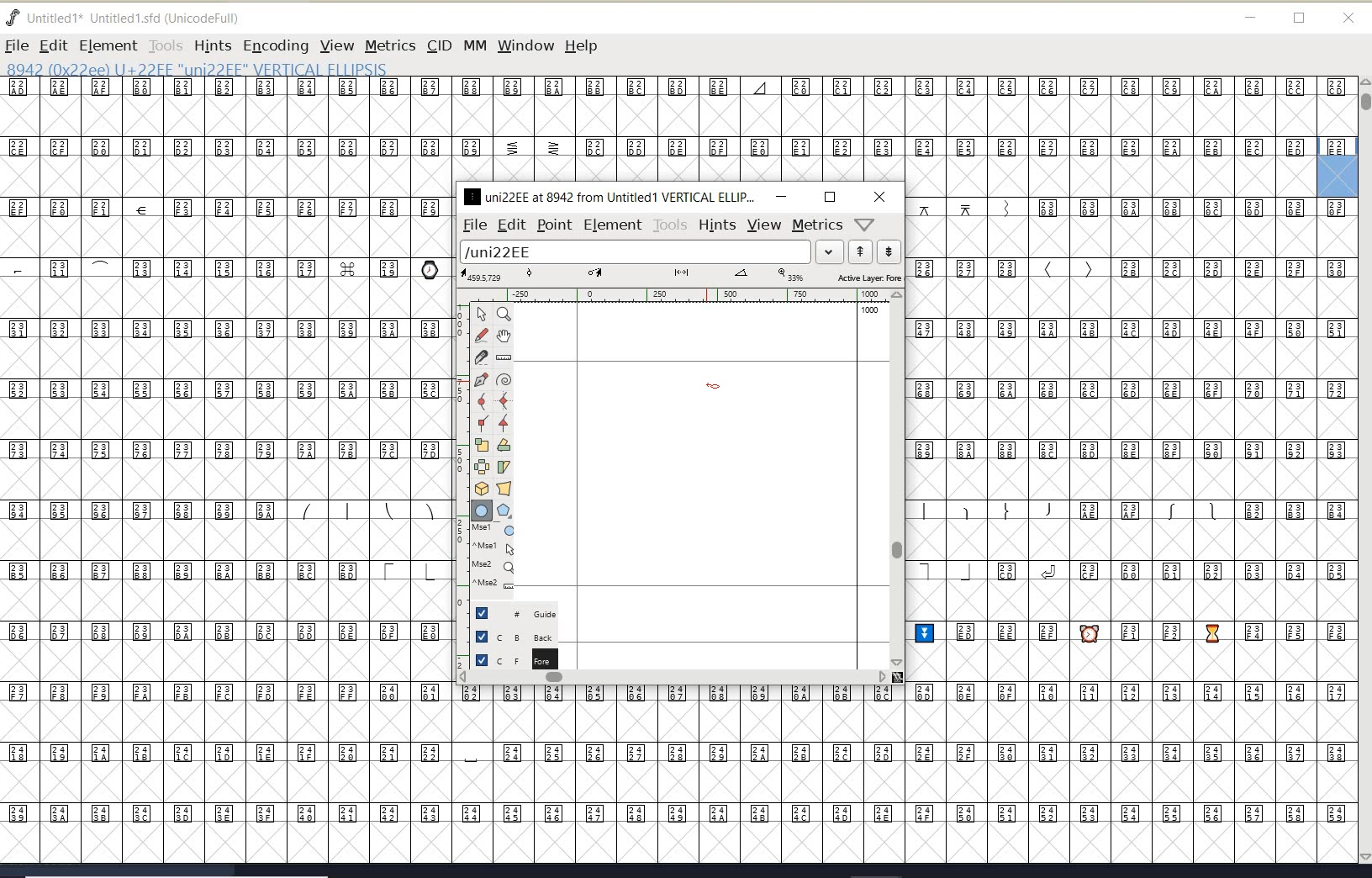 Image resolution: width=1372 pixels, height=878 pixels. I want to click on rectangle or ellipse, so click(483, 511).